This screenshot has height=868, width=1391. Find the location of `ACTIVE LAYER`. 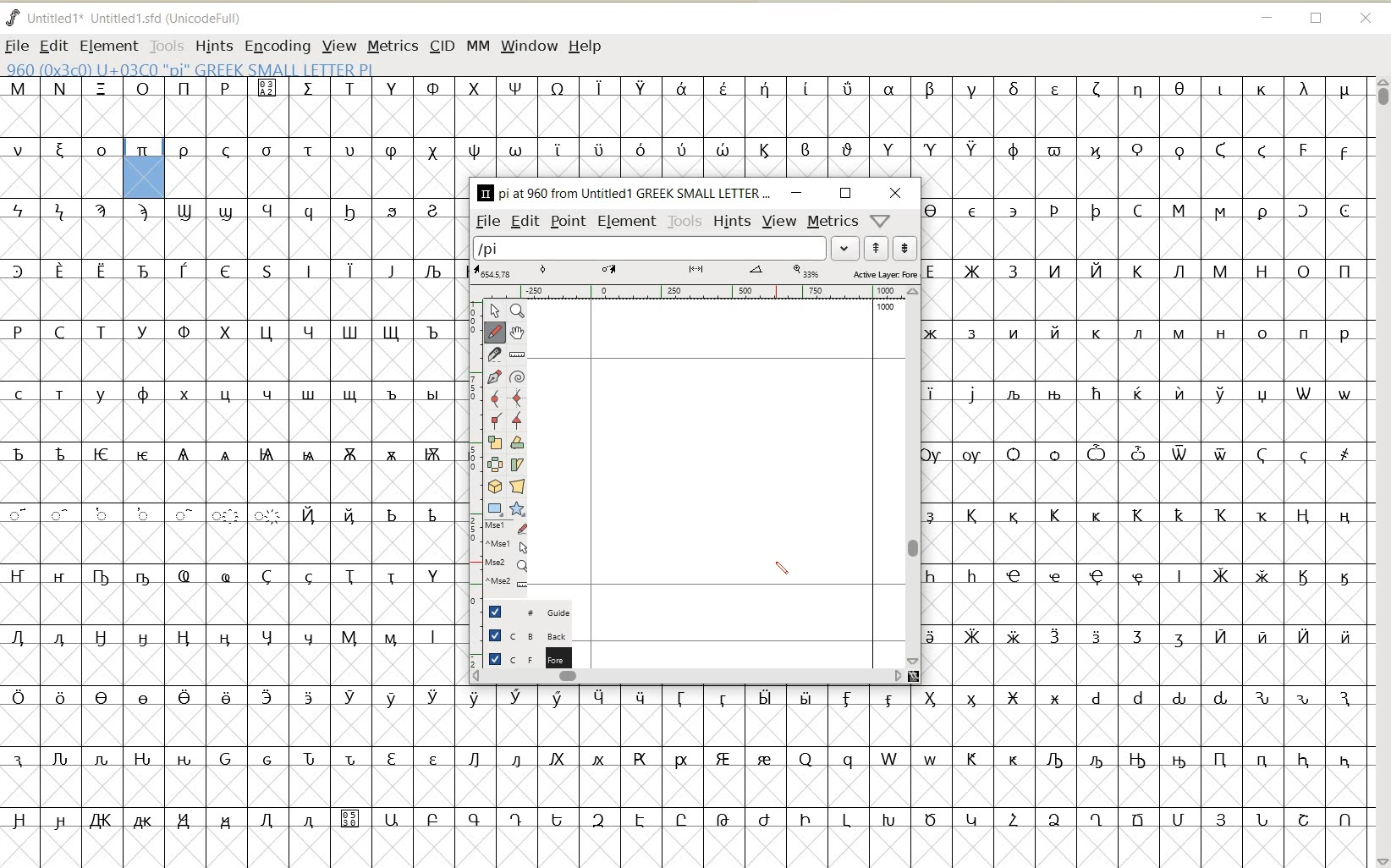

ACTIVE LAYER is located at coordinates (694, 272).